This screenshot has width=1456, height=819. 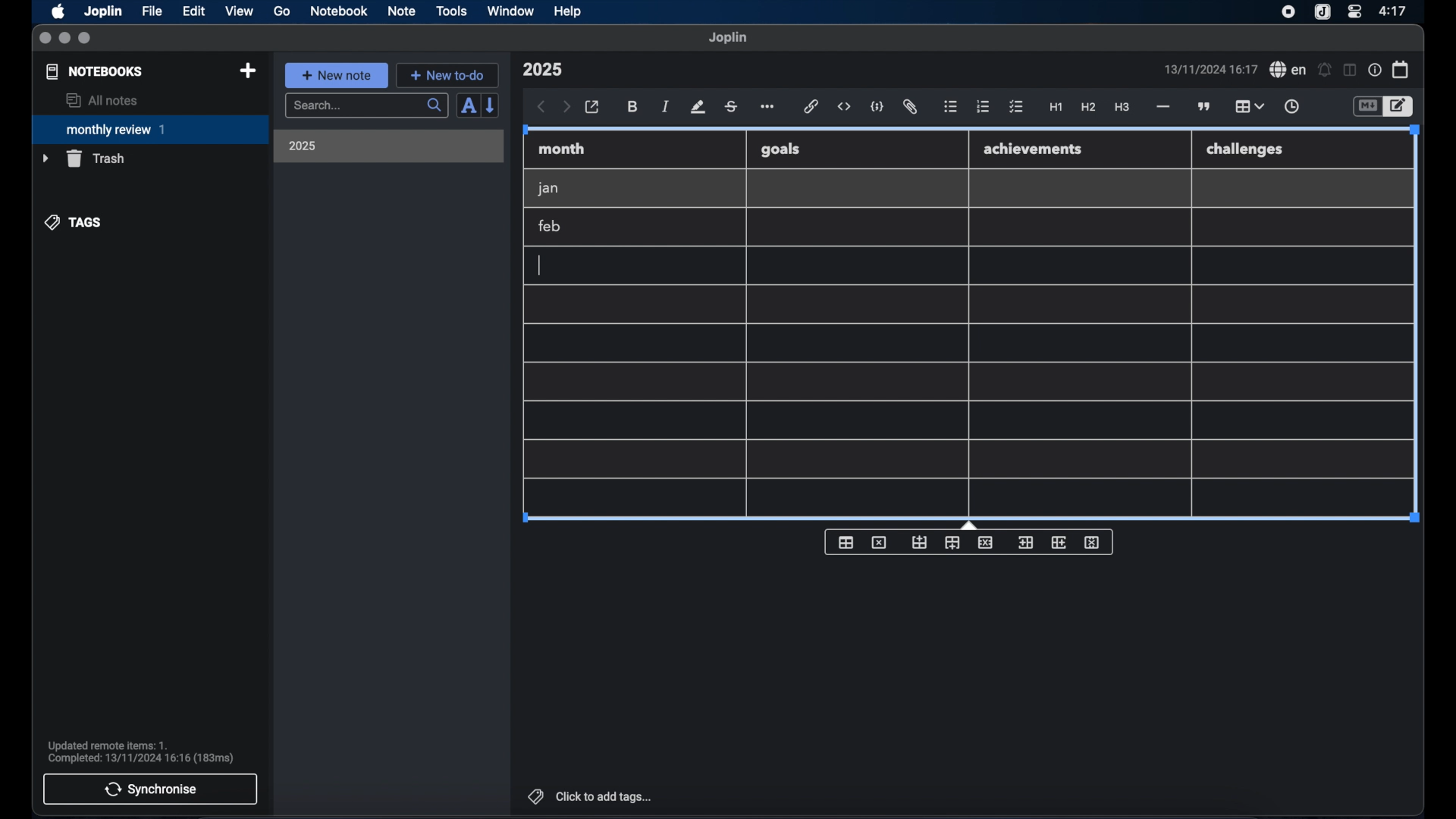 What do you see at coordinates (1401, 107) in the screenshot?
I see `toggle editor` at bounding box center [1401, 107].